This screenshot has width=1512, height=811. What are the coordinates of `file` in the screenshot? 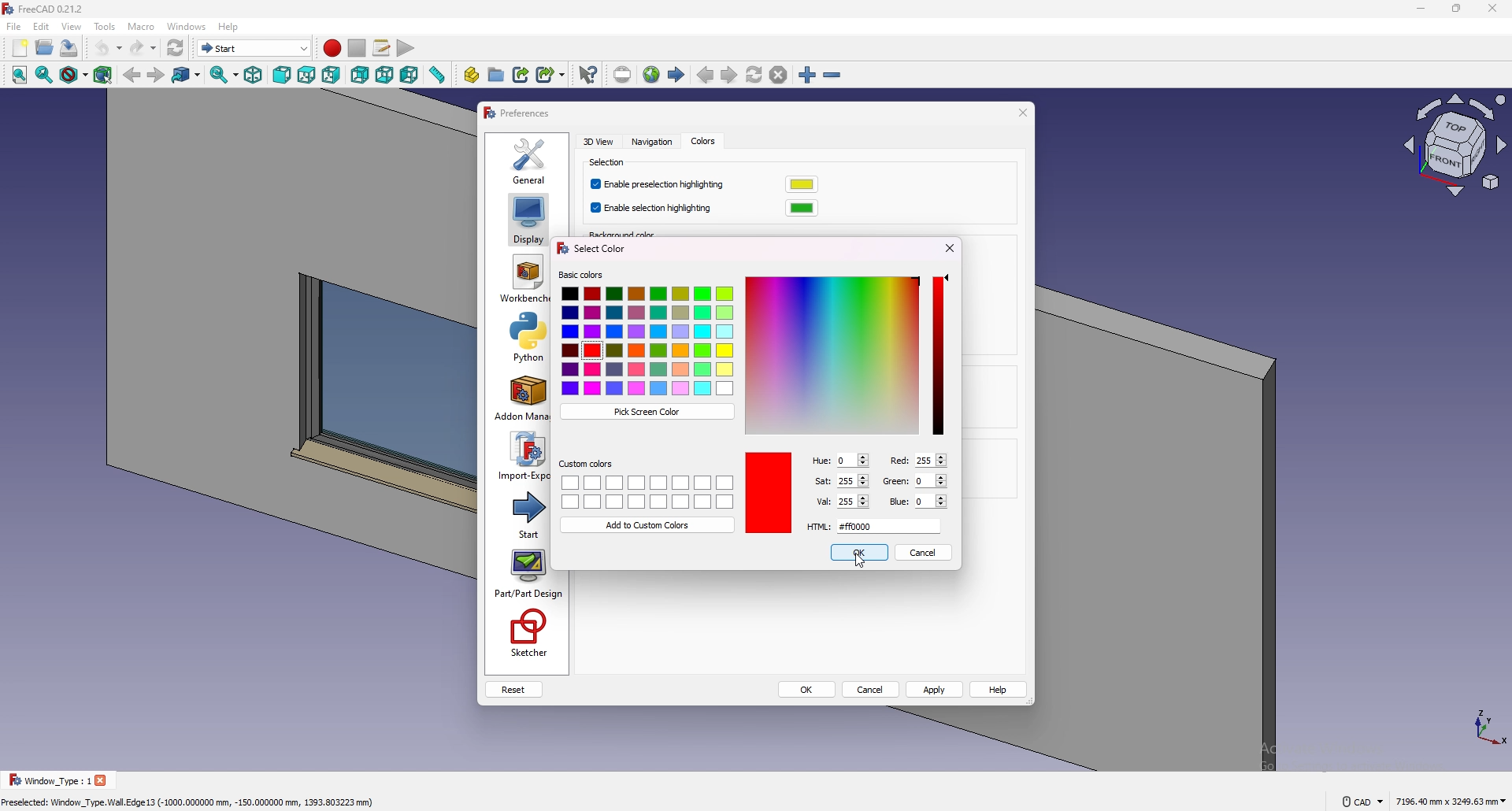 It's located at (14, 27).